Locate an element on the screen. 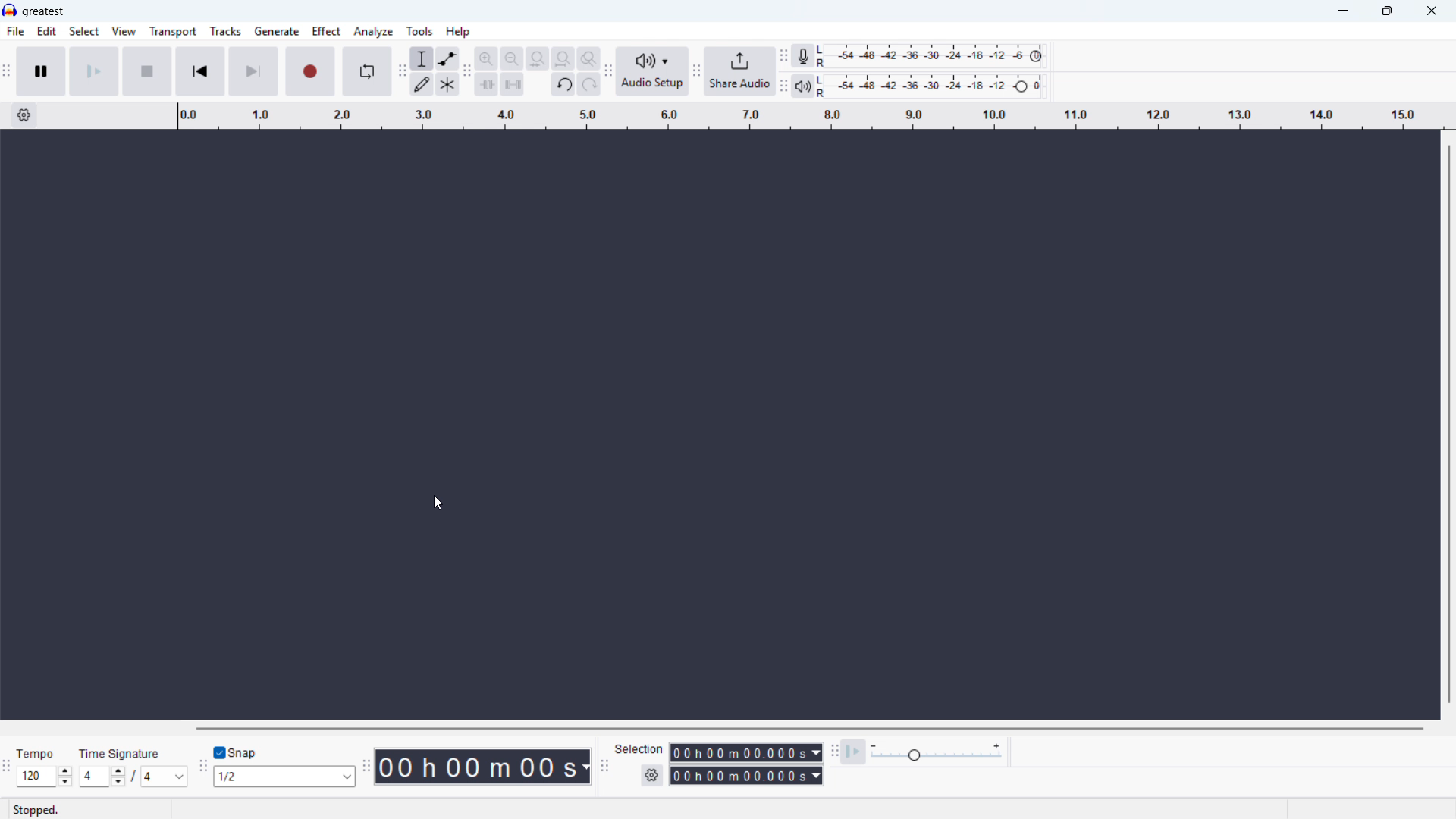 The image size is (1456, 819). Enable looping  is located at coordinates (368, 71).